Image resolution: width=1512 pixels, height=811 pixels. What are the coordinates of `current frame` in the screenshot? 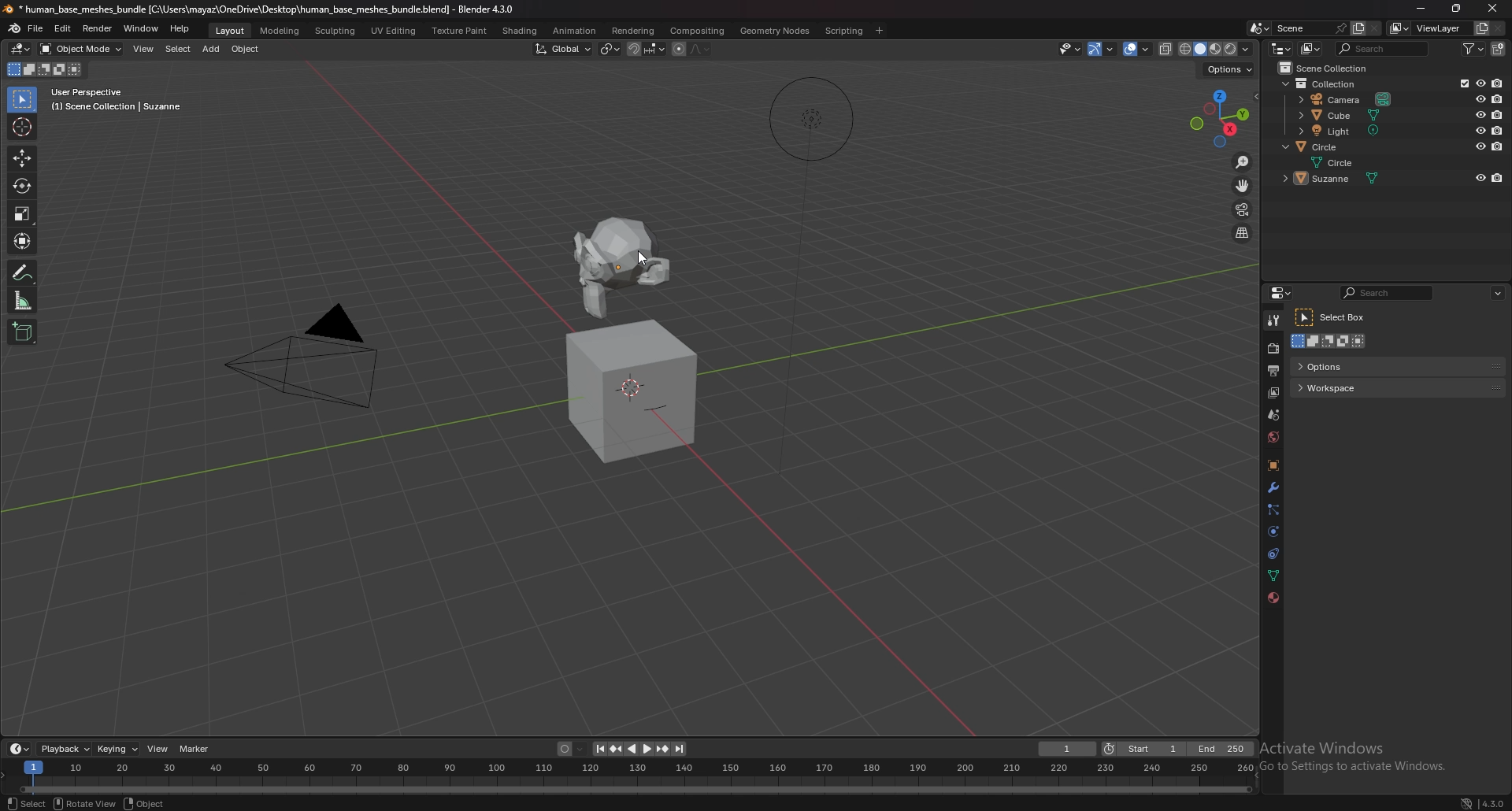 It's located at (1069, 748).